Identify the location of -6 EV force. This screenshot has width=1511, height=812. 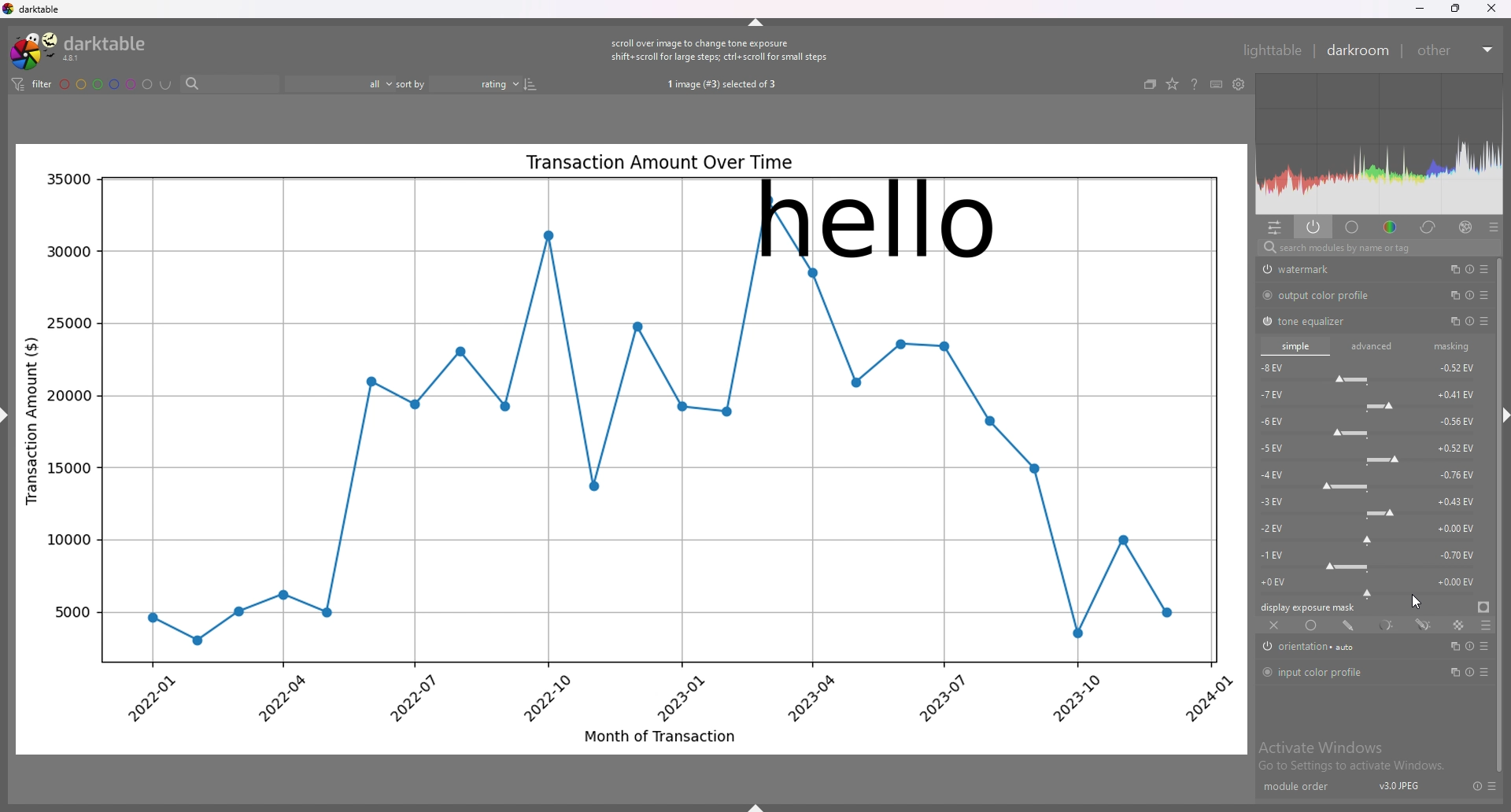
(1372, 426).